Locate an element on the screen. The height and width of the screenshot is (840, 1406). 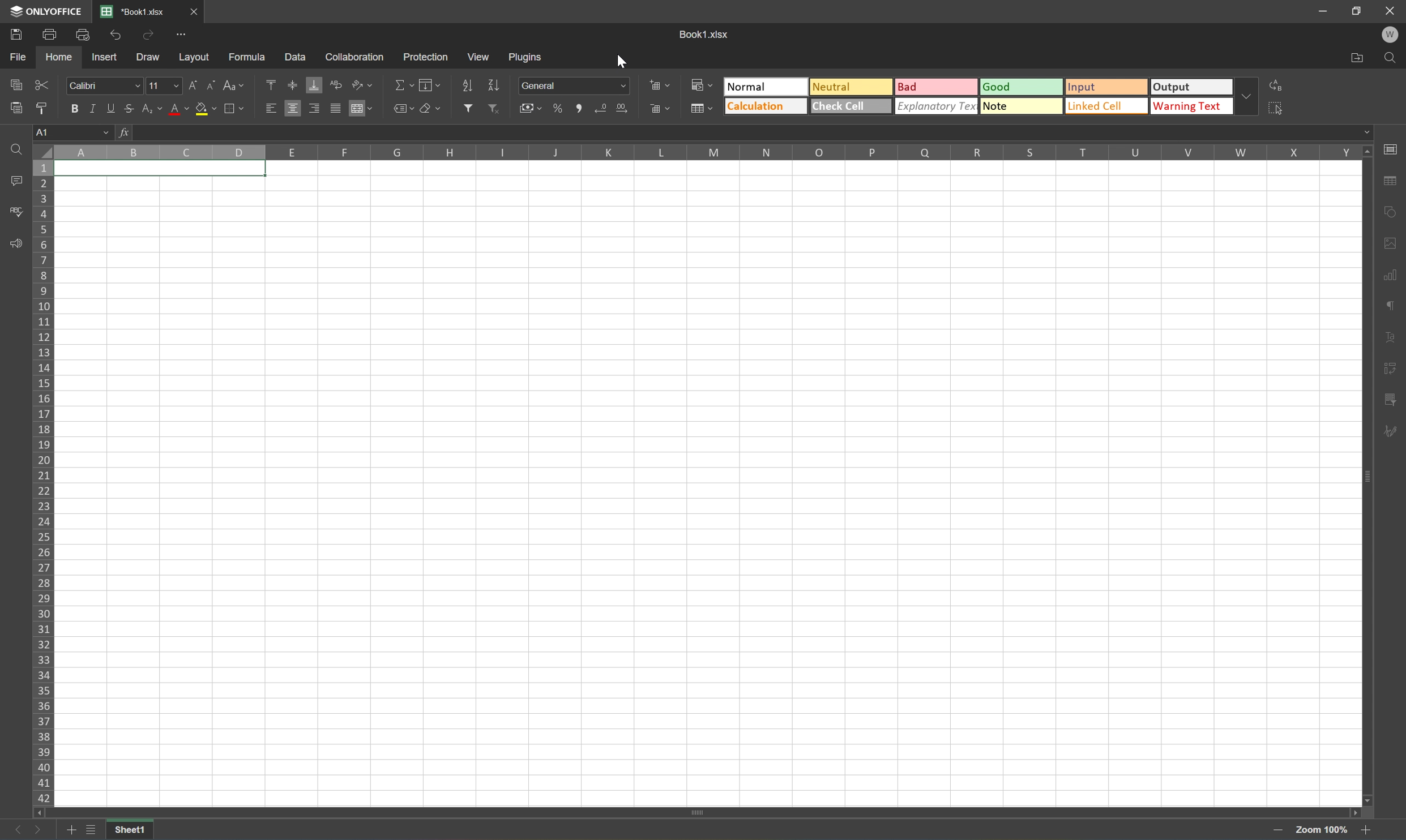
Linked cell is located at coordinates (1108, 106).